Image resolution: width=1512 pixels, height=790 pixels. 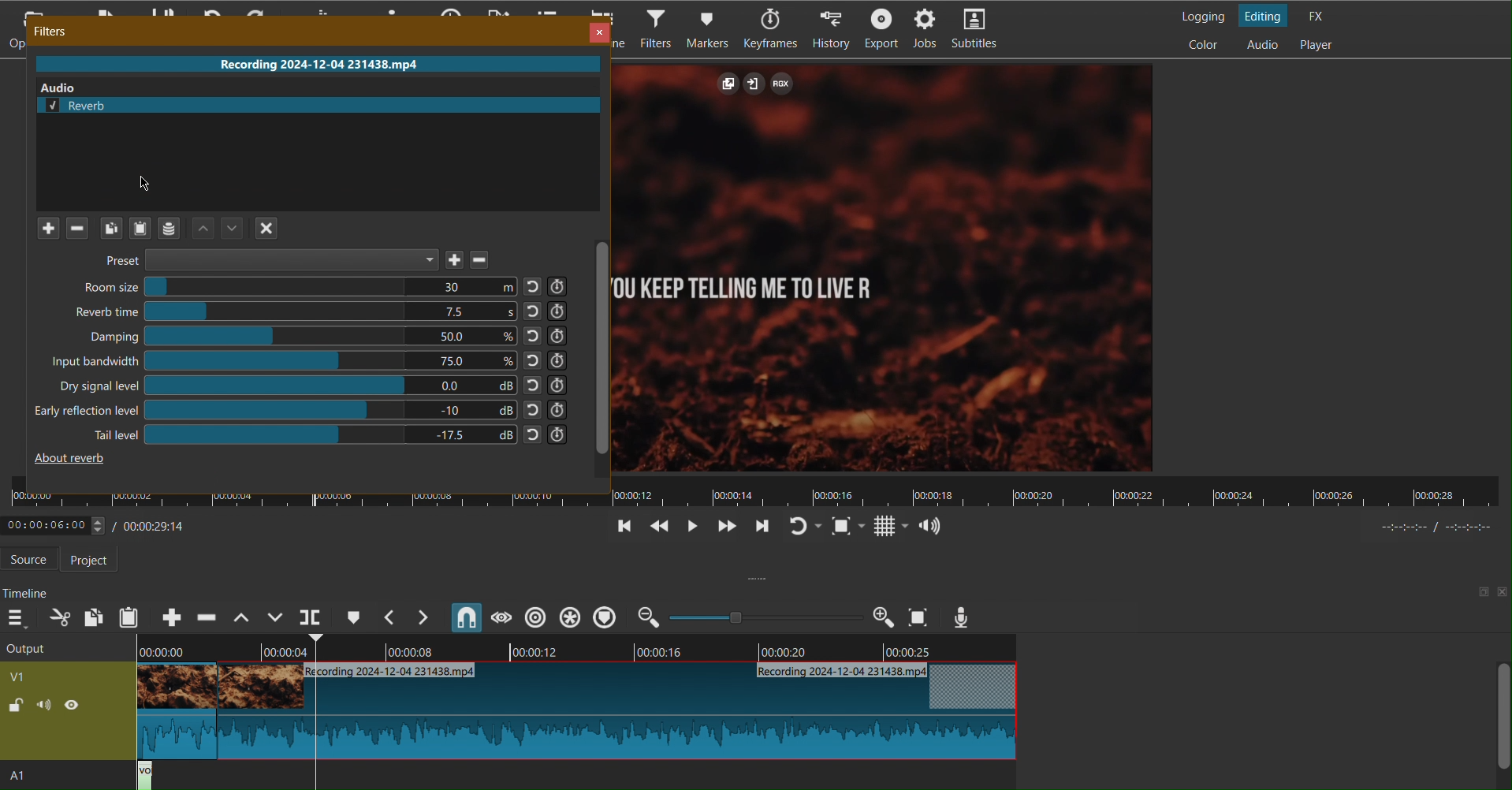 What do you see at coordinates (882, 28) in the screenshot?
I see `Export` at bounding box center [882, 28].